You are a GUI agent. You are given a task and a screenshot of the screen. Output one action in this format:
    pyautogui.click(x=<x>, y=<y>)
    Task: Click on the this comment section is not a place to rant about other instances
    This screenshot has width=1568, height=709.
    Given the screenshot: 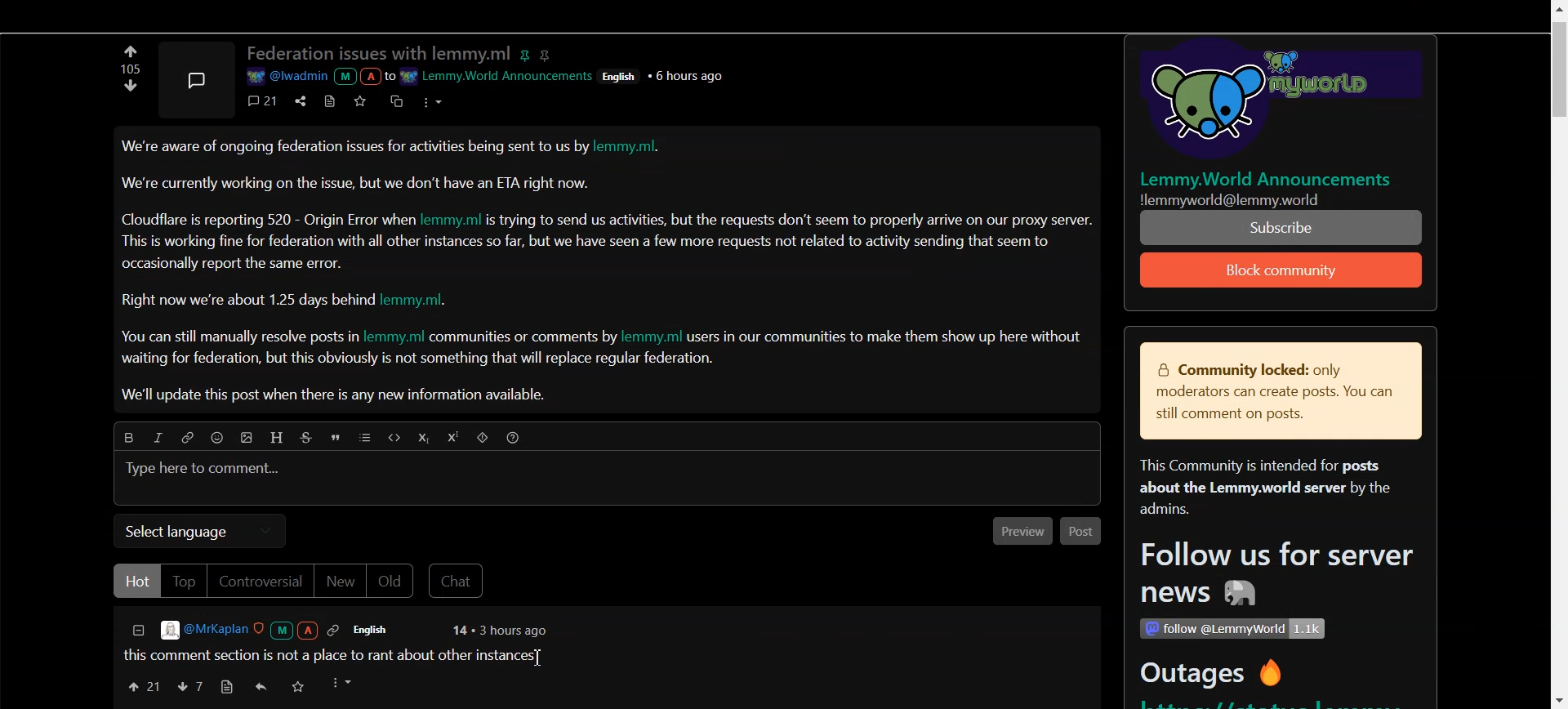 What is the action you would take?
    pyautogui.click(x=331, y=654)
    